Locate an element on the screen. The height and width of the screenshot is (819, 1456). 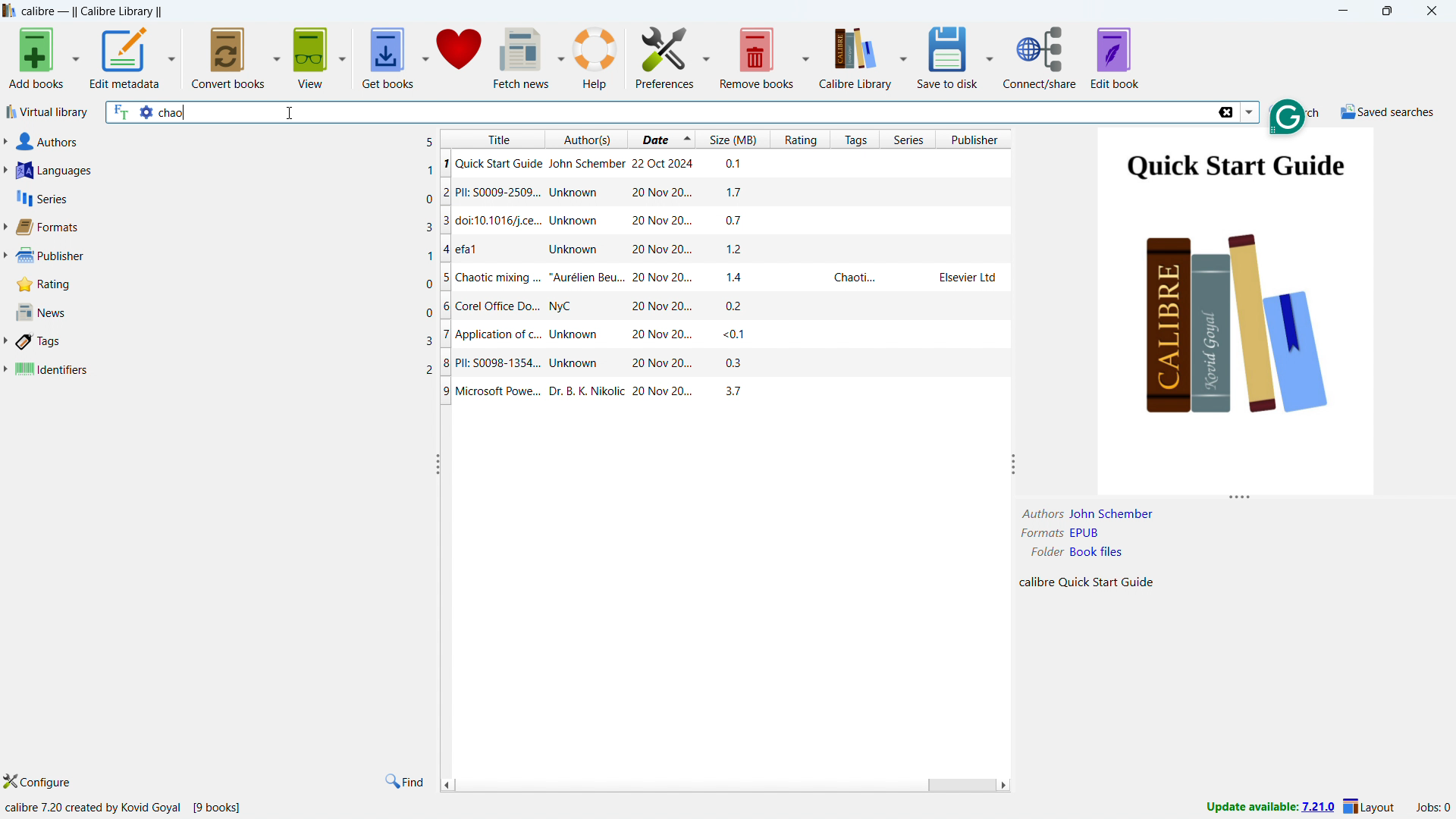
configure is located at coordinates (39, 782).